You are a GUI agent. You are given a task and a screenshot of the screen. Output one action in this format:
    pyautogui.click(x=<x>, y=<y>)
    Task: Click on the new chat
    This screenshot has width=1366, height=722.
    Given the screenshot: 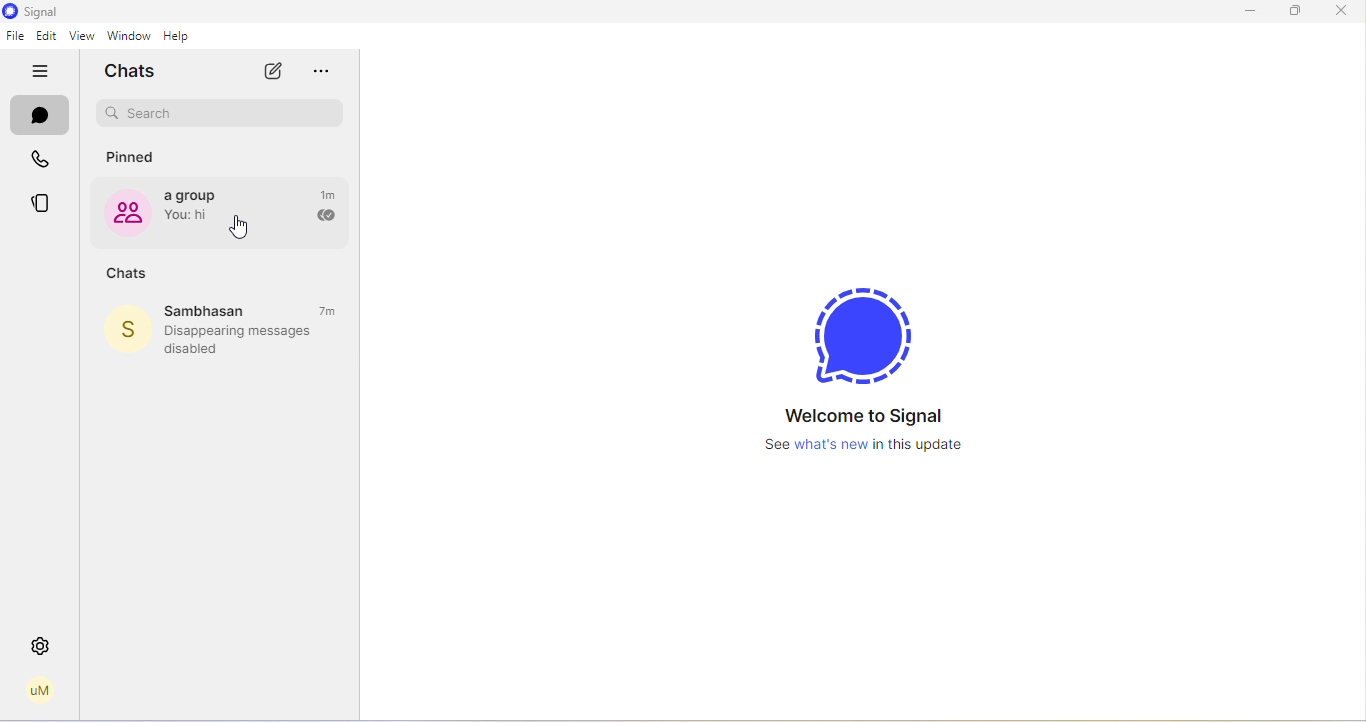 What is the action you would take?
    pyautogui.click(x=271, y=71)
    